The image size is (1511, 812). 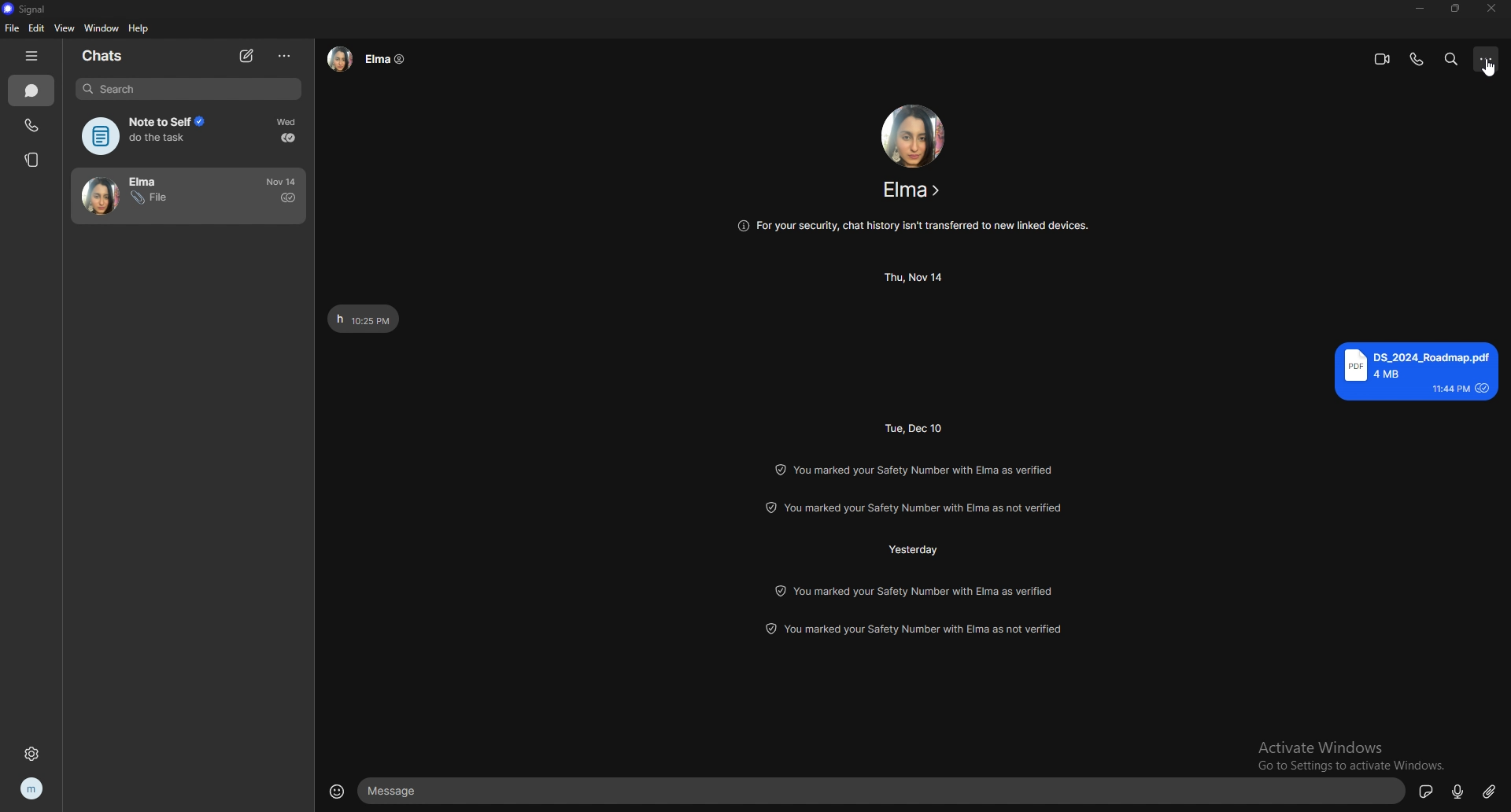 I want to click on time, so click(x=289, y=122).